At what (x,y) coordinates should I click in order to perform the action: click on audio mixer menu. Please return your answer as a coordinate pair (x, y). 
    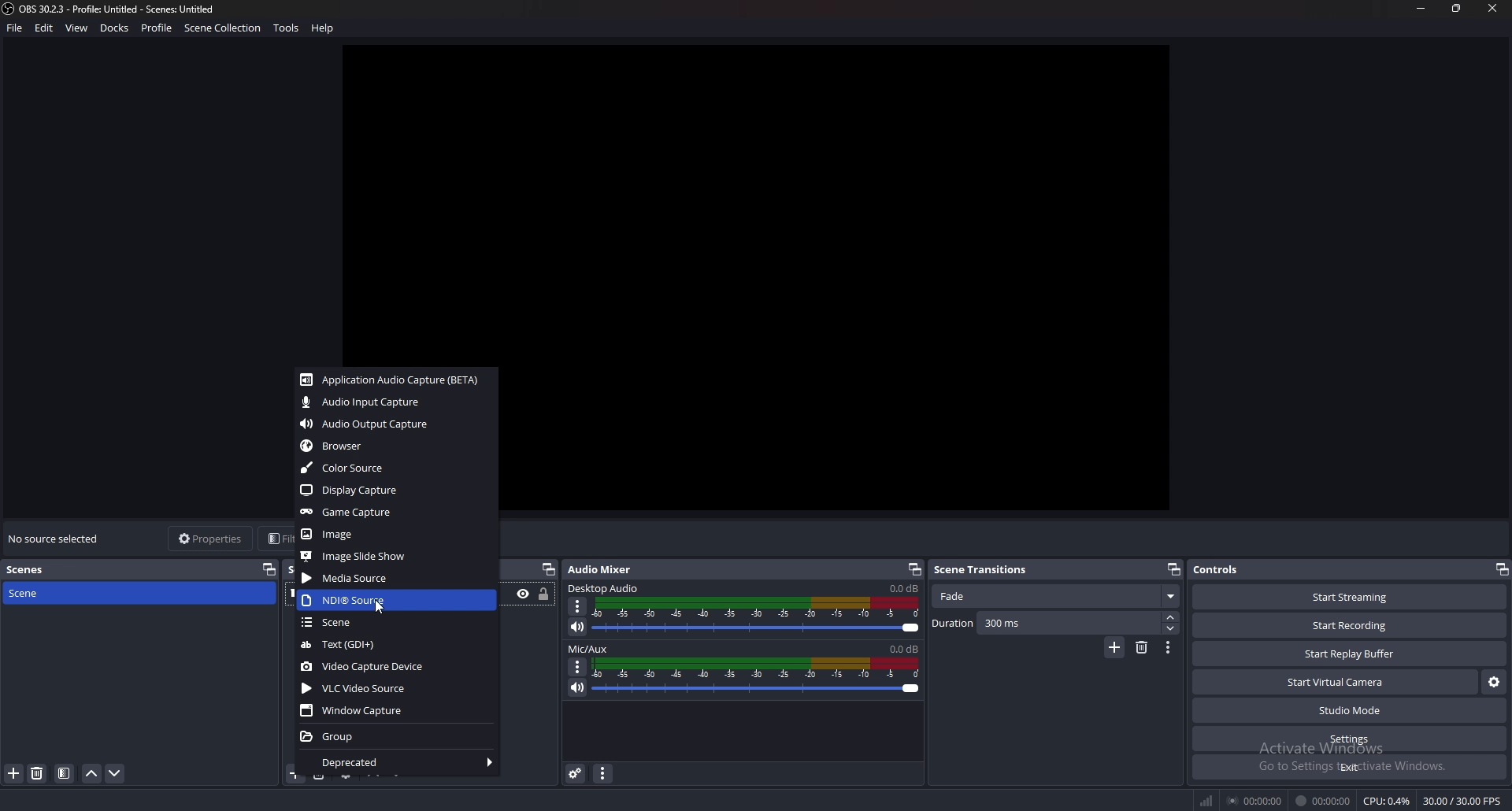
    Looking at the image, I should click on (602, 774).